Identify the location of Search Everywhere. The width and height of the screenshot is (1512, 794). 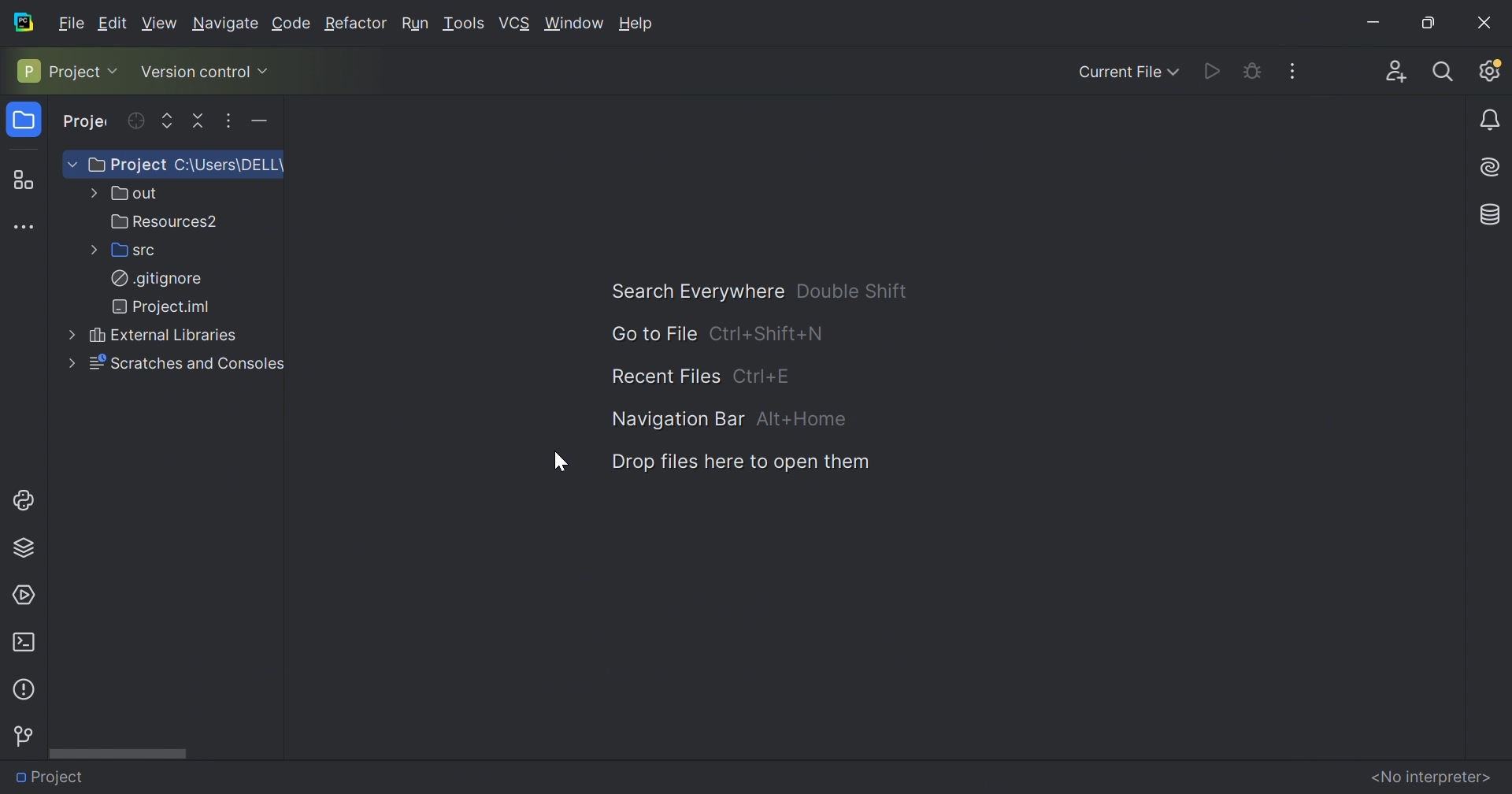
(1443, 70).